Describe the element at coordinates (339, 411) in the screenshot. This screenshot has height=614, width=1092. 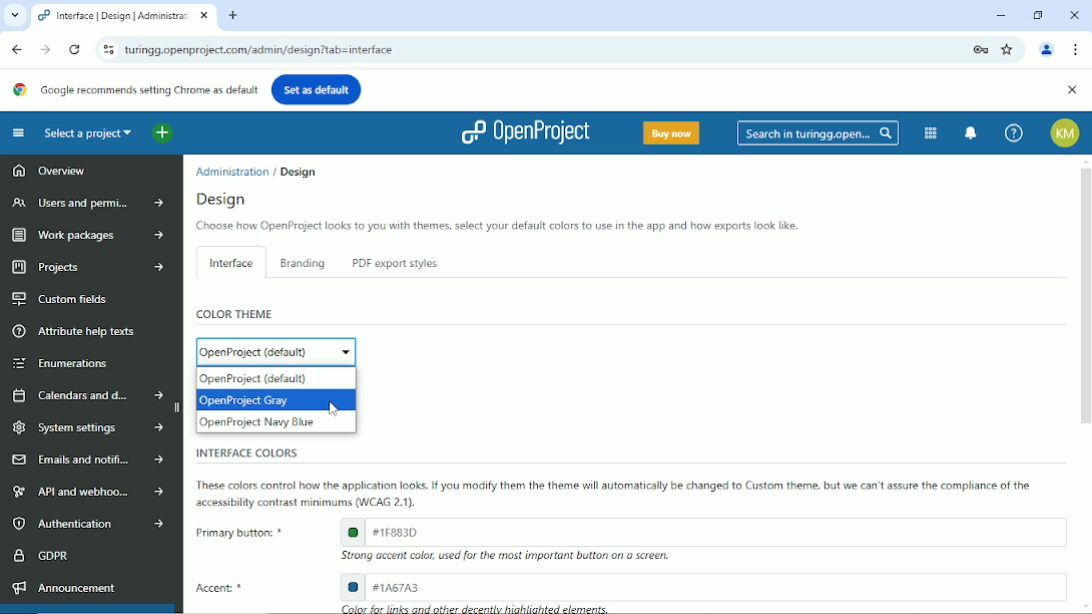
I see `Cursor` at that location.